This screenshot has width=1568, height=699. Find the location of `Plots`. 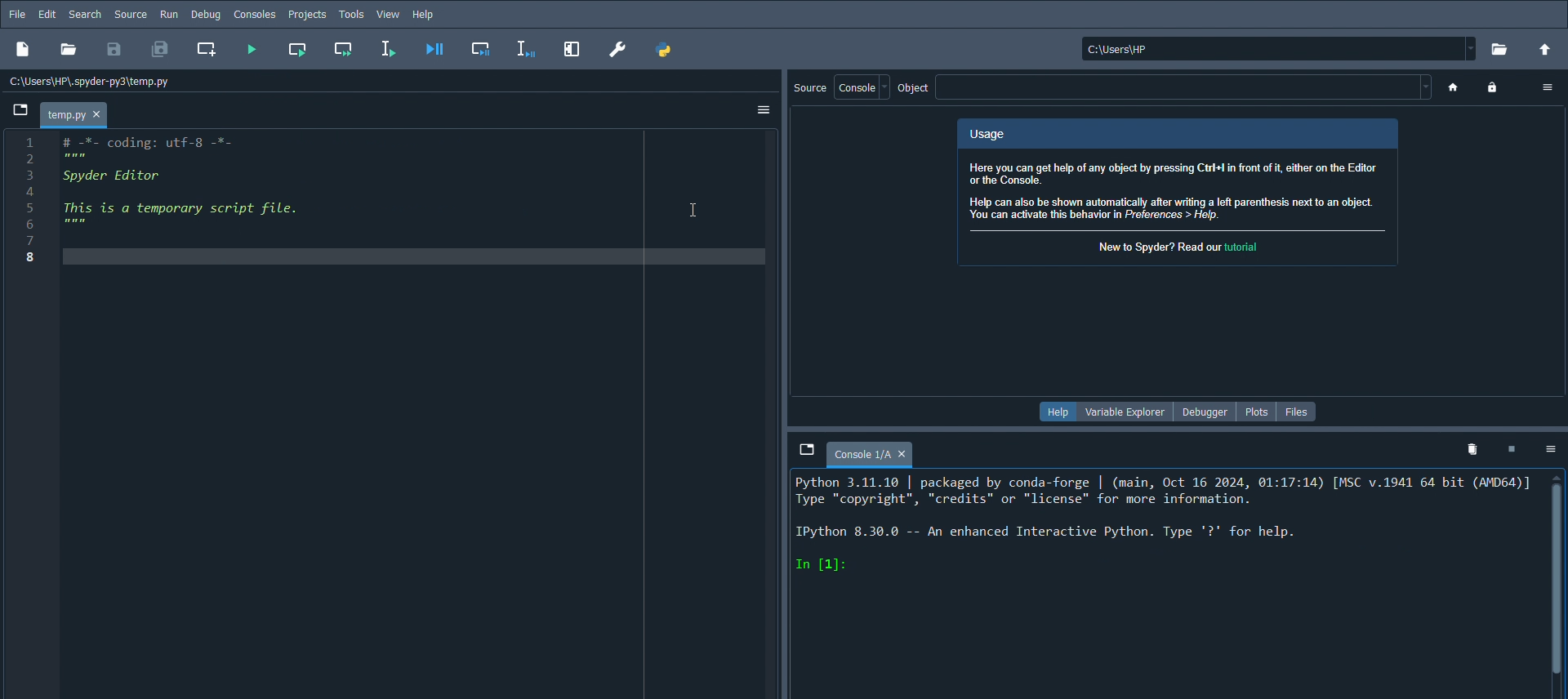

Plots is located at coordinates (1257, 409).